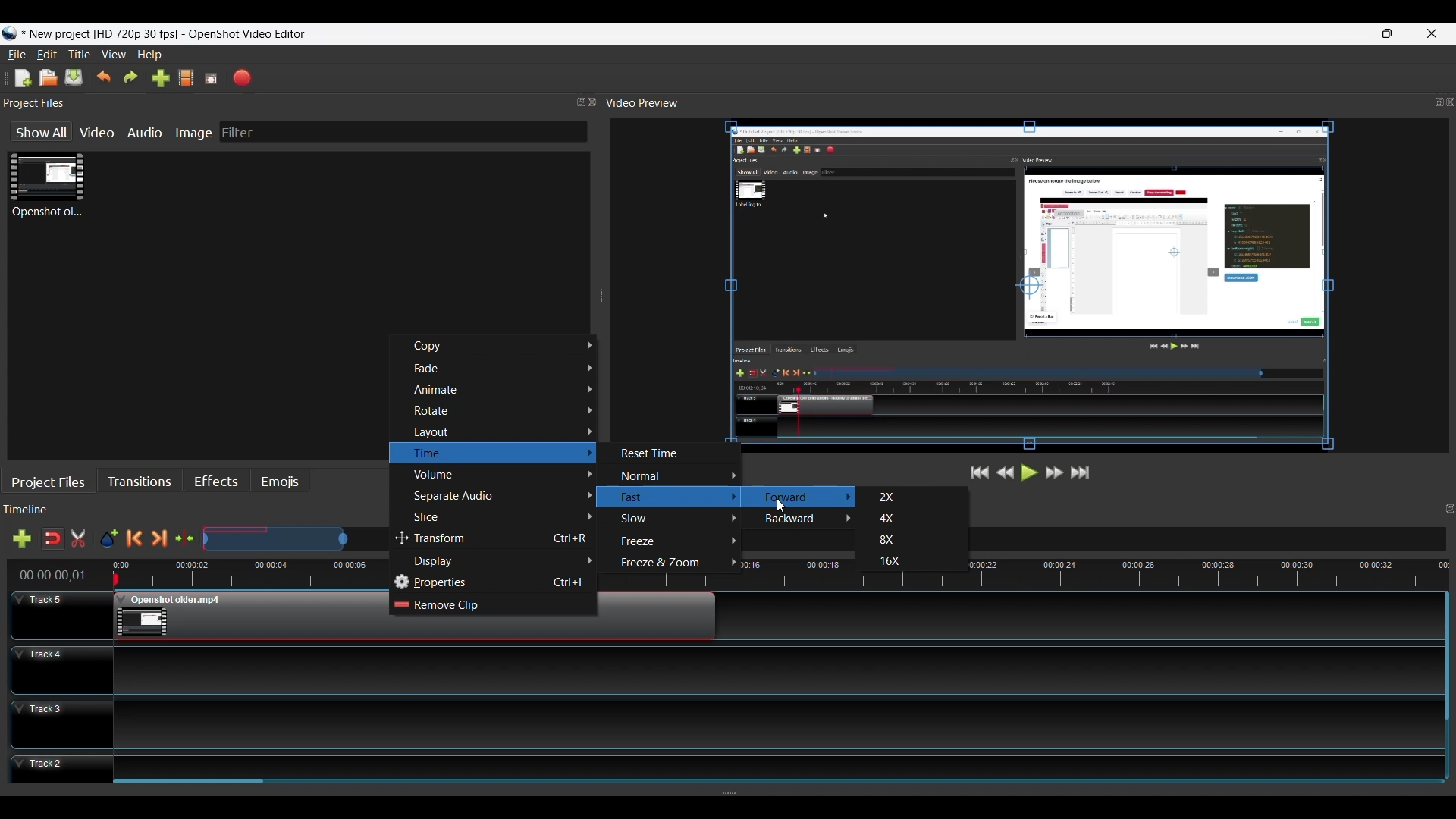  What do you see at coordinates (199, 511) in the screenshot?
I see `Timeline Panel` at bounding box center [199, 511].